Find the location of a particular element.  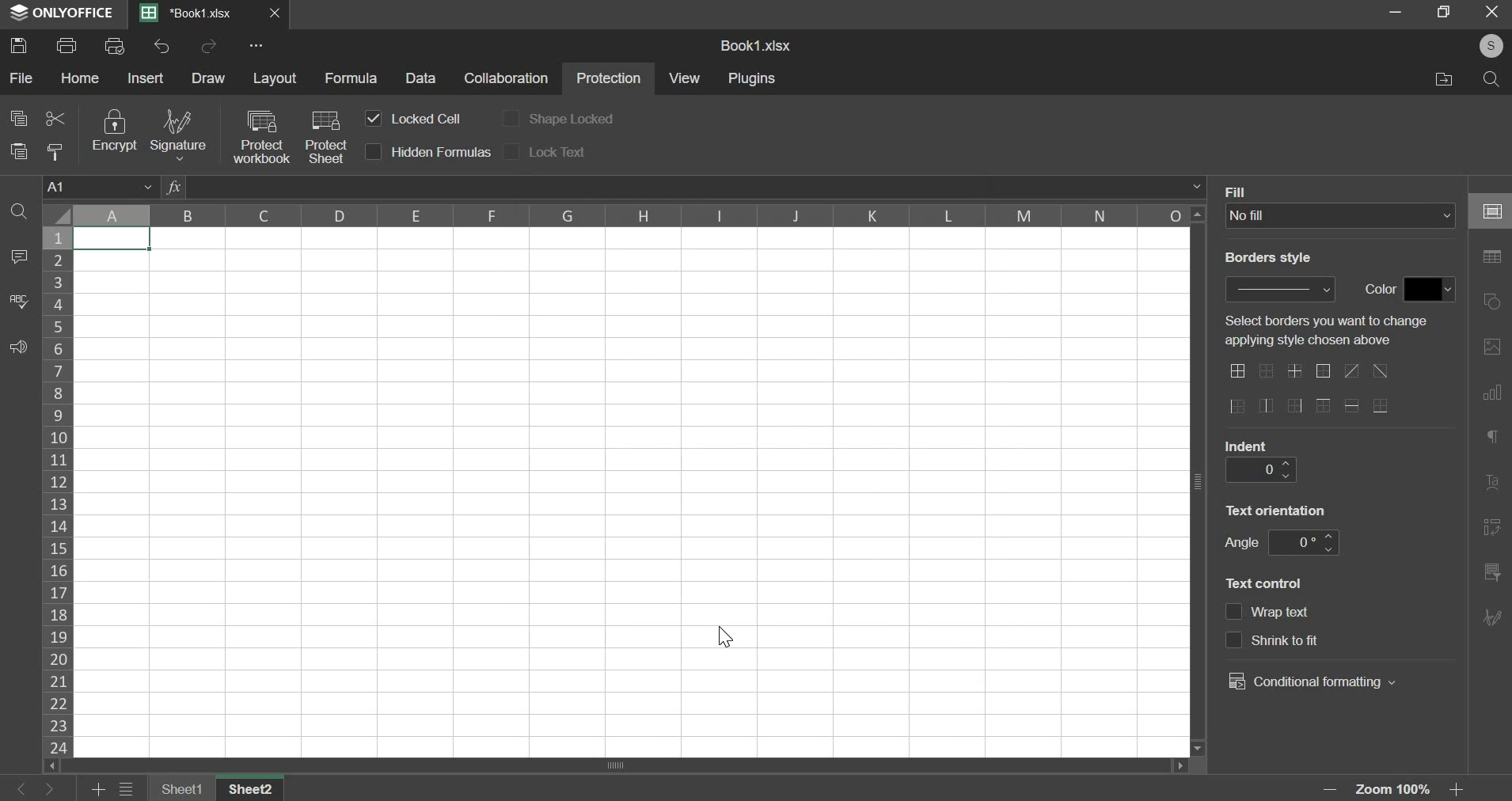

ONLYOFFICE is located at coordinates (59, 13).